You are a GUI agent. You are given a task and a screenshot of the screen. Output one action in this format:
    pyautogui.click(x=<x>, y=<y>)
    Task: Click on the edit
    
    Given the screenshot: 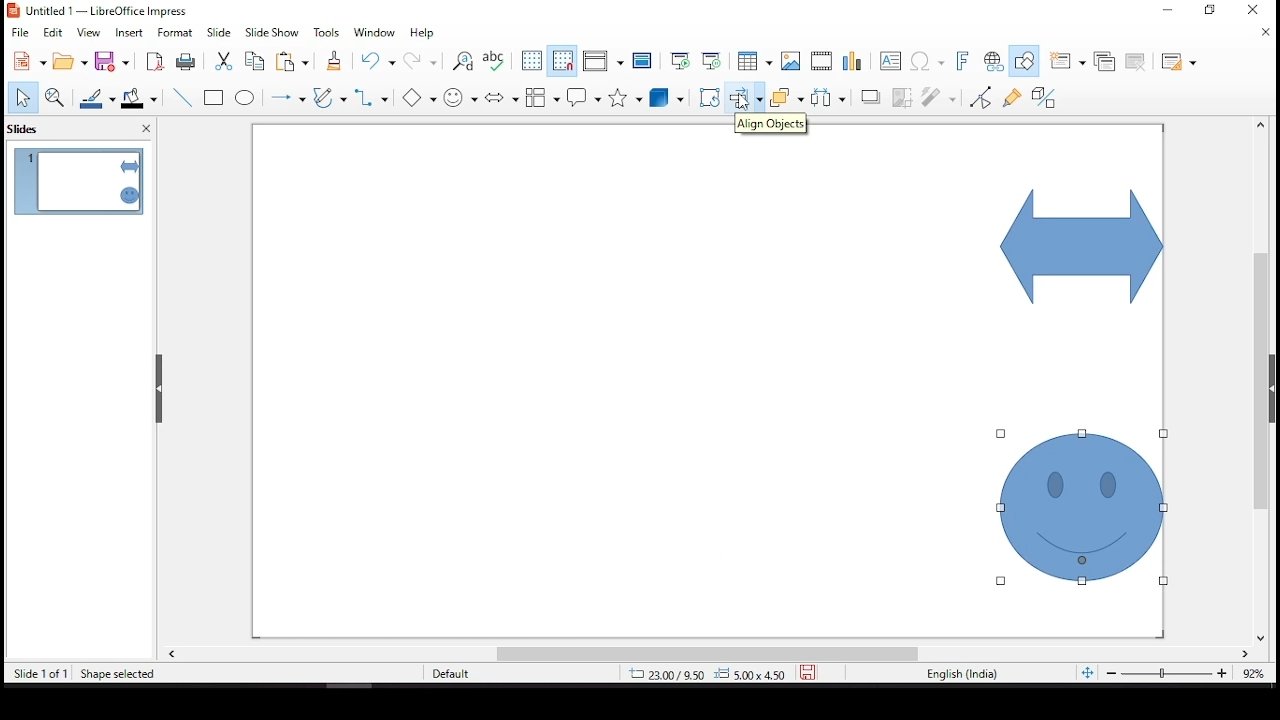 What is the action you would take?
    pyautogui.click(x=53, y=31)
    